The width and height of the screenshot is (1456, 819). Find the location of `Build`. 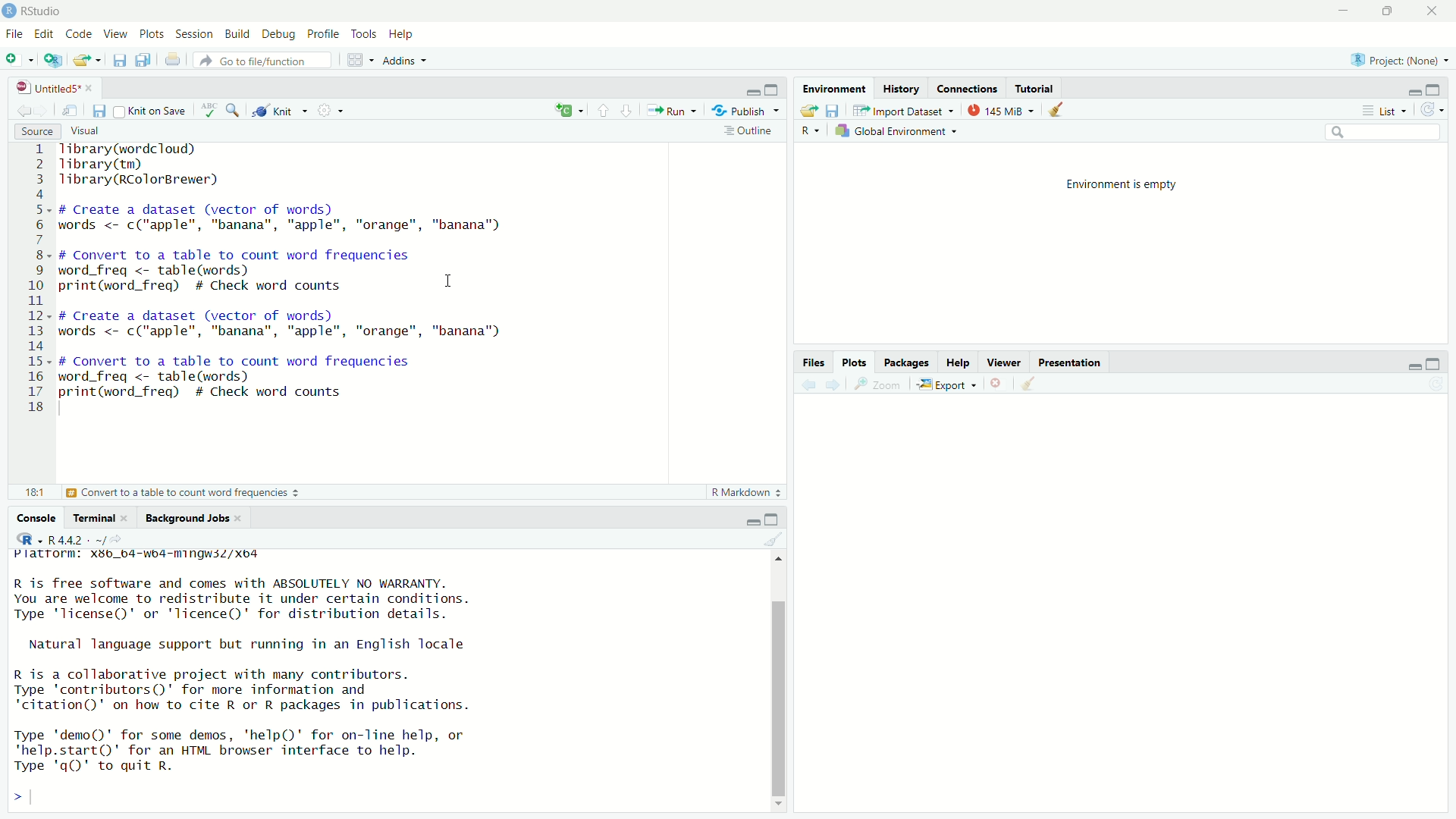

Build is located at coordinates (238, 34).